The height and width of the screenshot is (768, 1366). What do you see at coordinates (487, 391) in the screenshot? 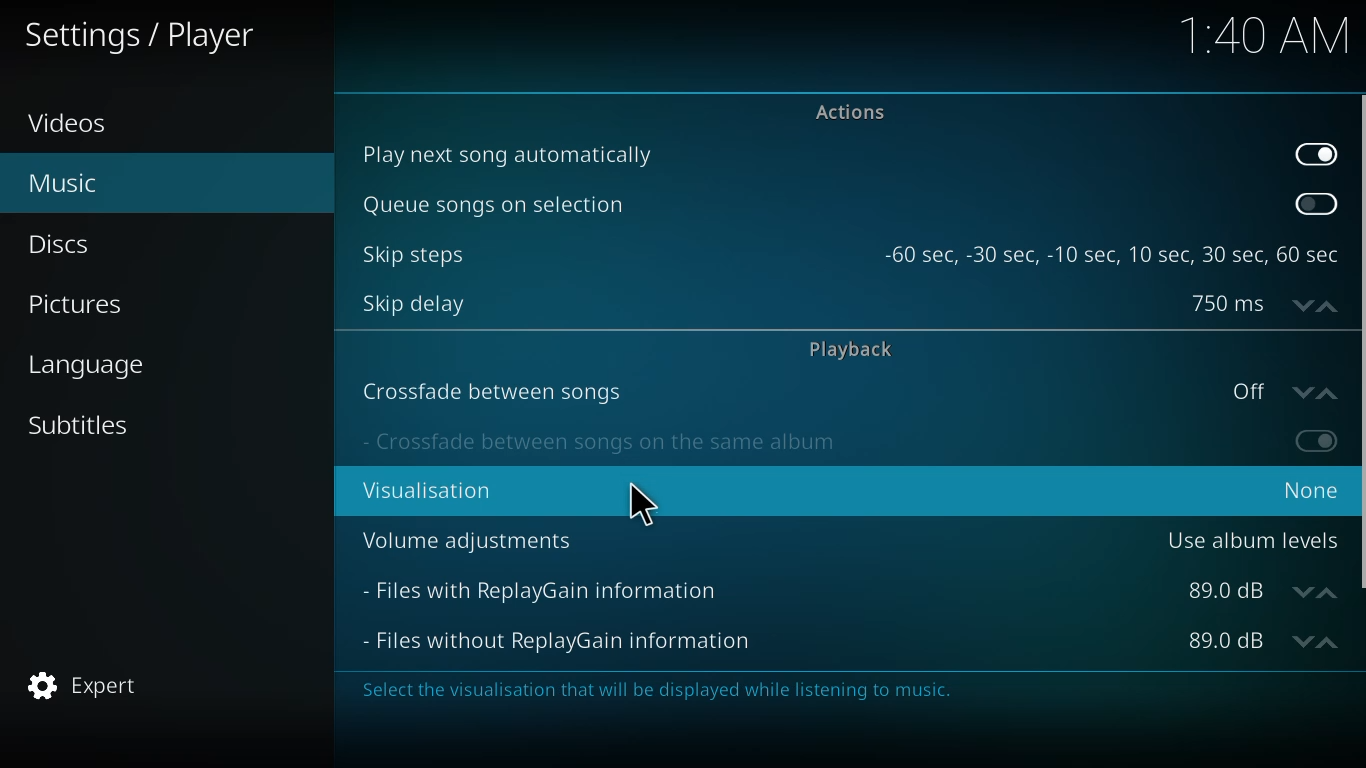
I see `crossfade between songs` at bounding box center [487, 391].